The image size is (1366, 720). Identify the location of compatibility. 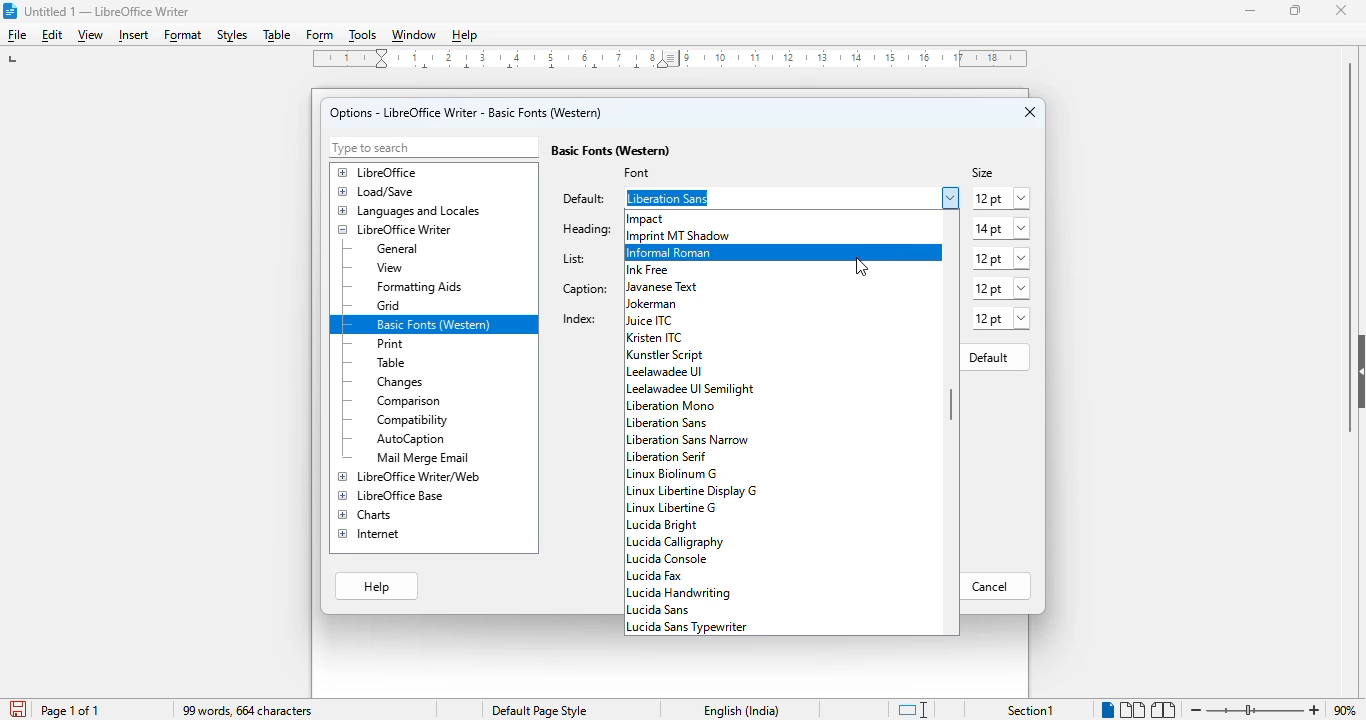
(413, 421).